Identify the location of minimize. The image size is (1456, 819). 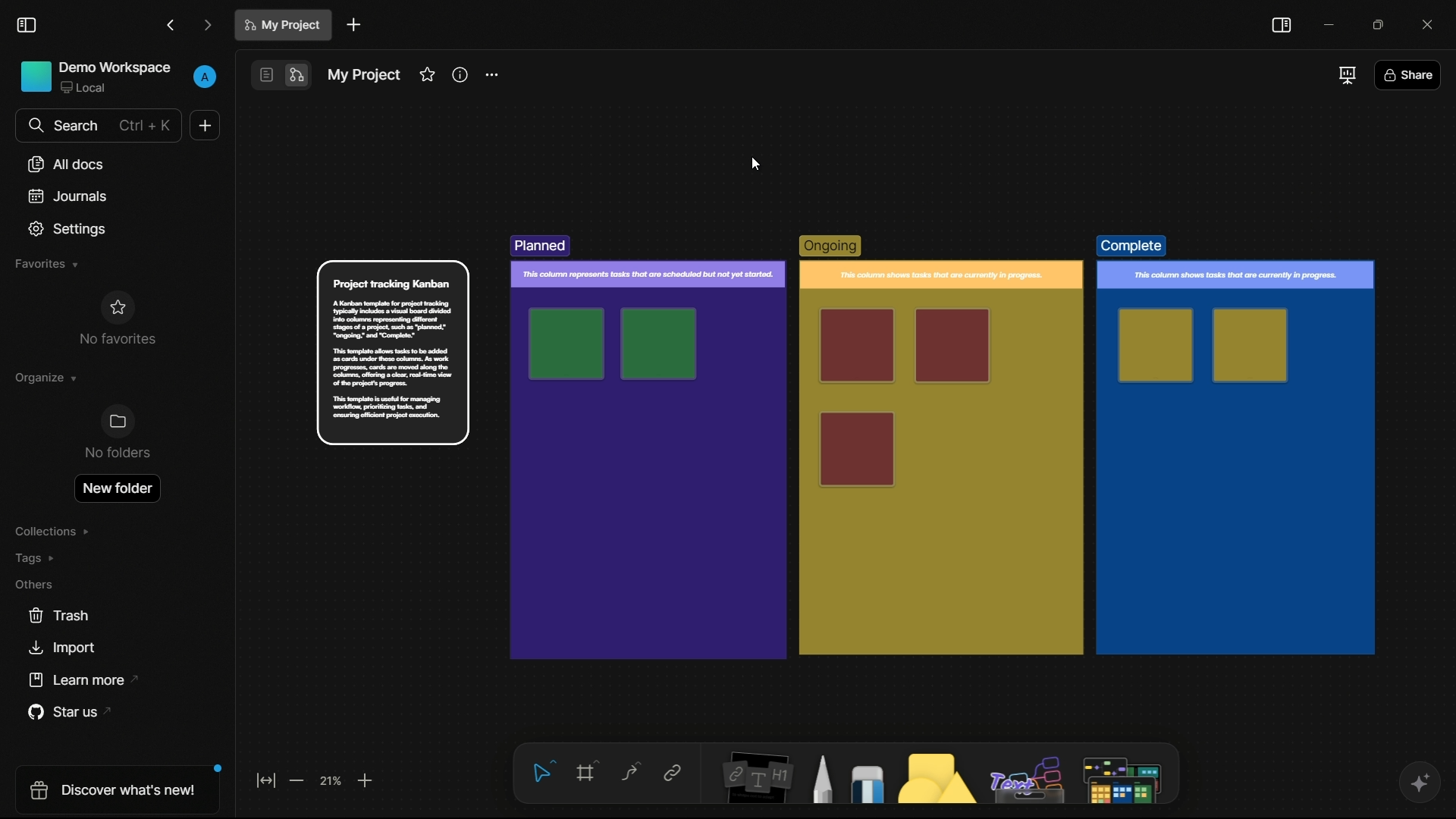
(1331, 24).